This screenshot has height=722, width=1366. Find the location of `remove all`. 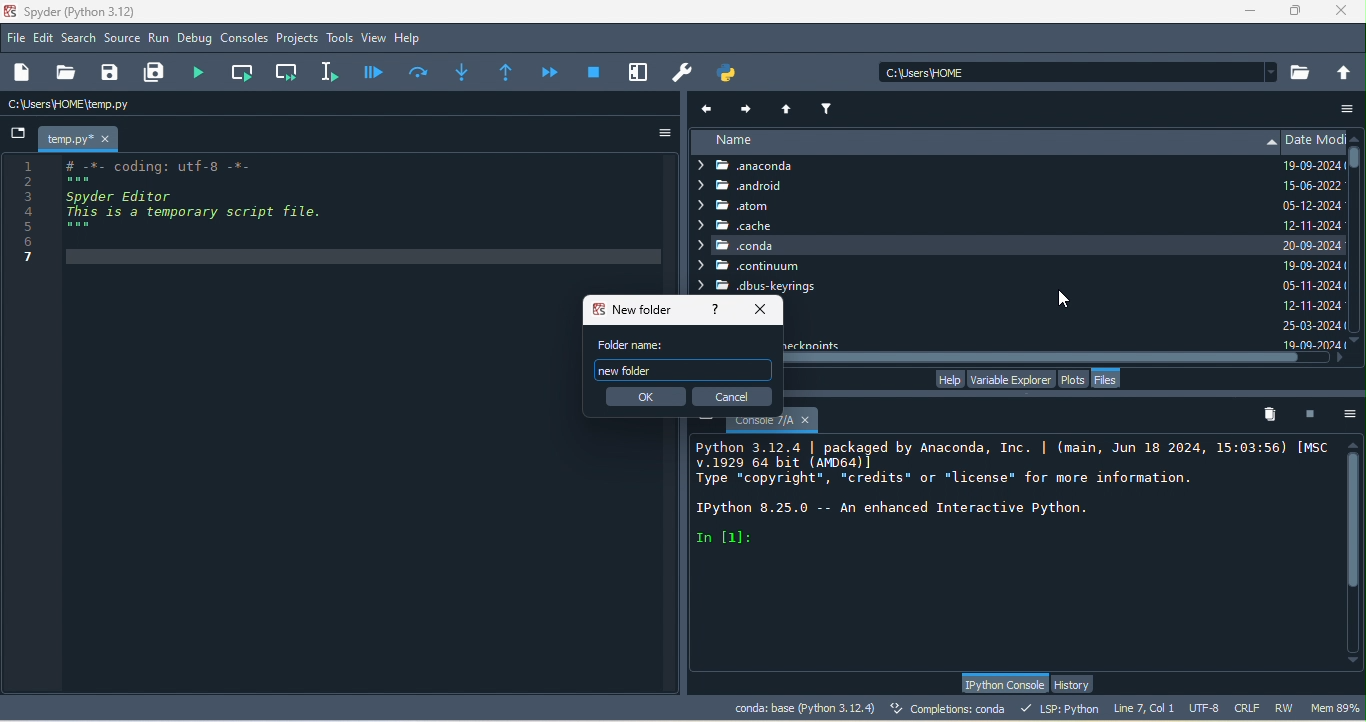

remove all is located at coordinates (1275, 415).